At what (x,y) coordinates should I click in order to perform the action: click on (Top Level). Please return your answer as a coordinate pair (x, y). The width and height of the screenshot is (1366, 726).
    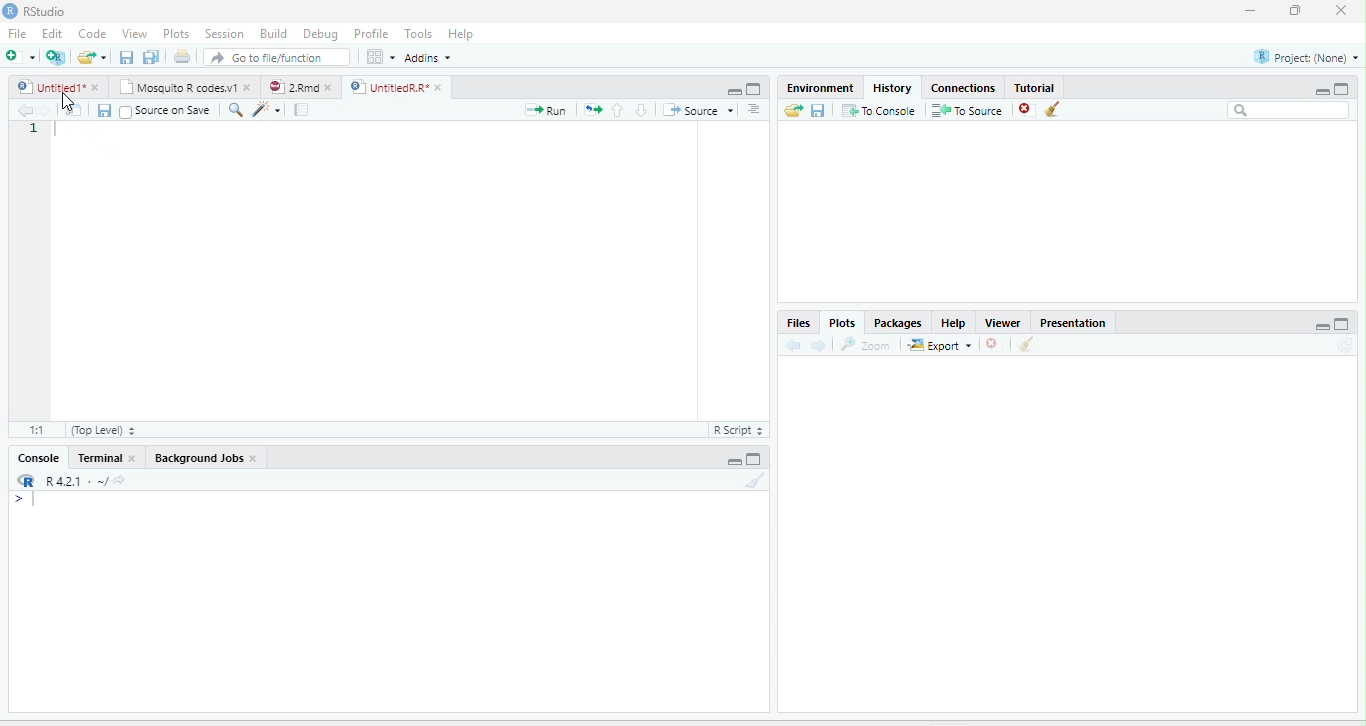
    Looking at the image, I should click on (102, 430).